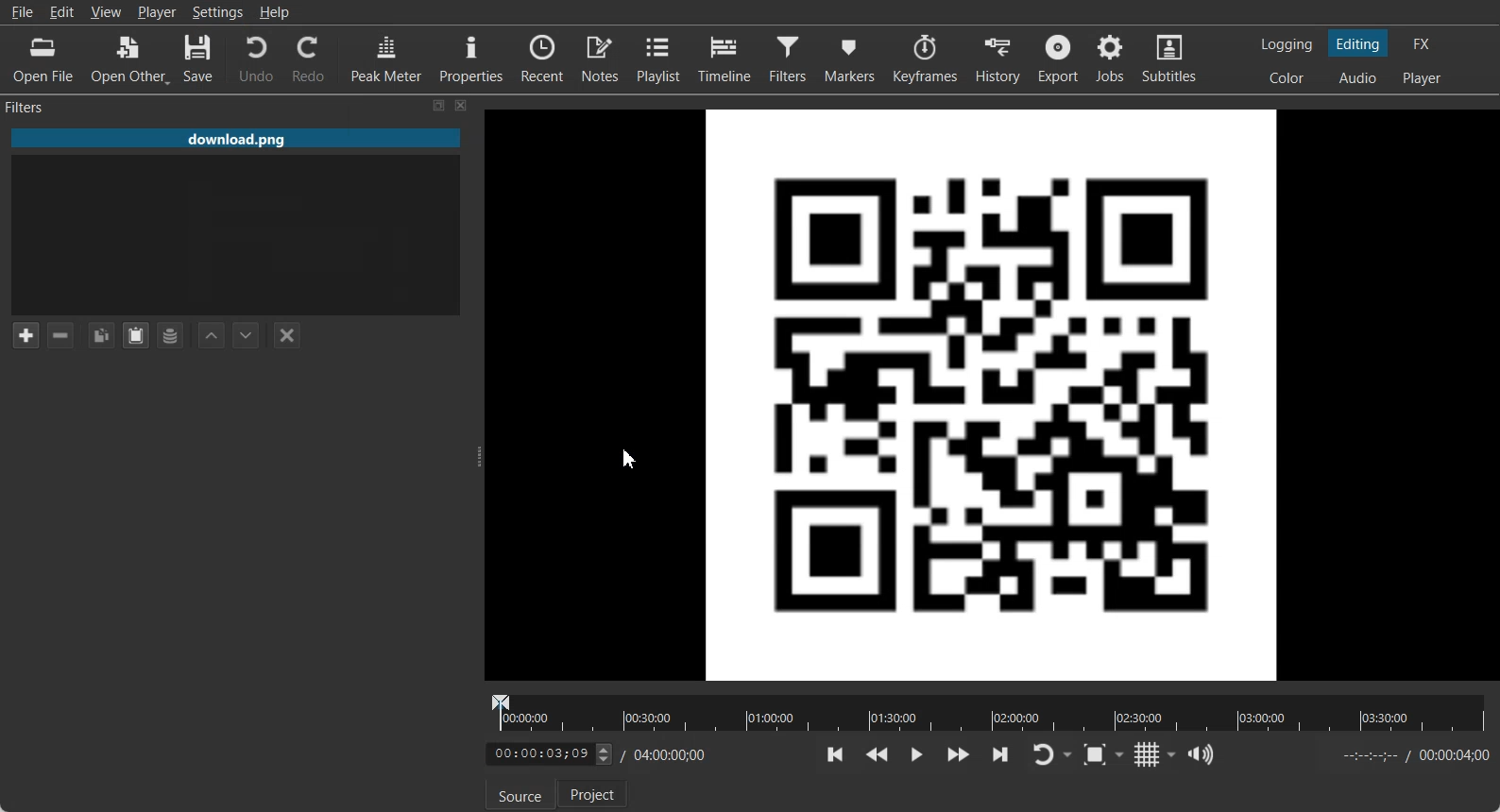 The height and width of the screenshot is (812, 1500). I want to click on Time change, so click(554, 753).